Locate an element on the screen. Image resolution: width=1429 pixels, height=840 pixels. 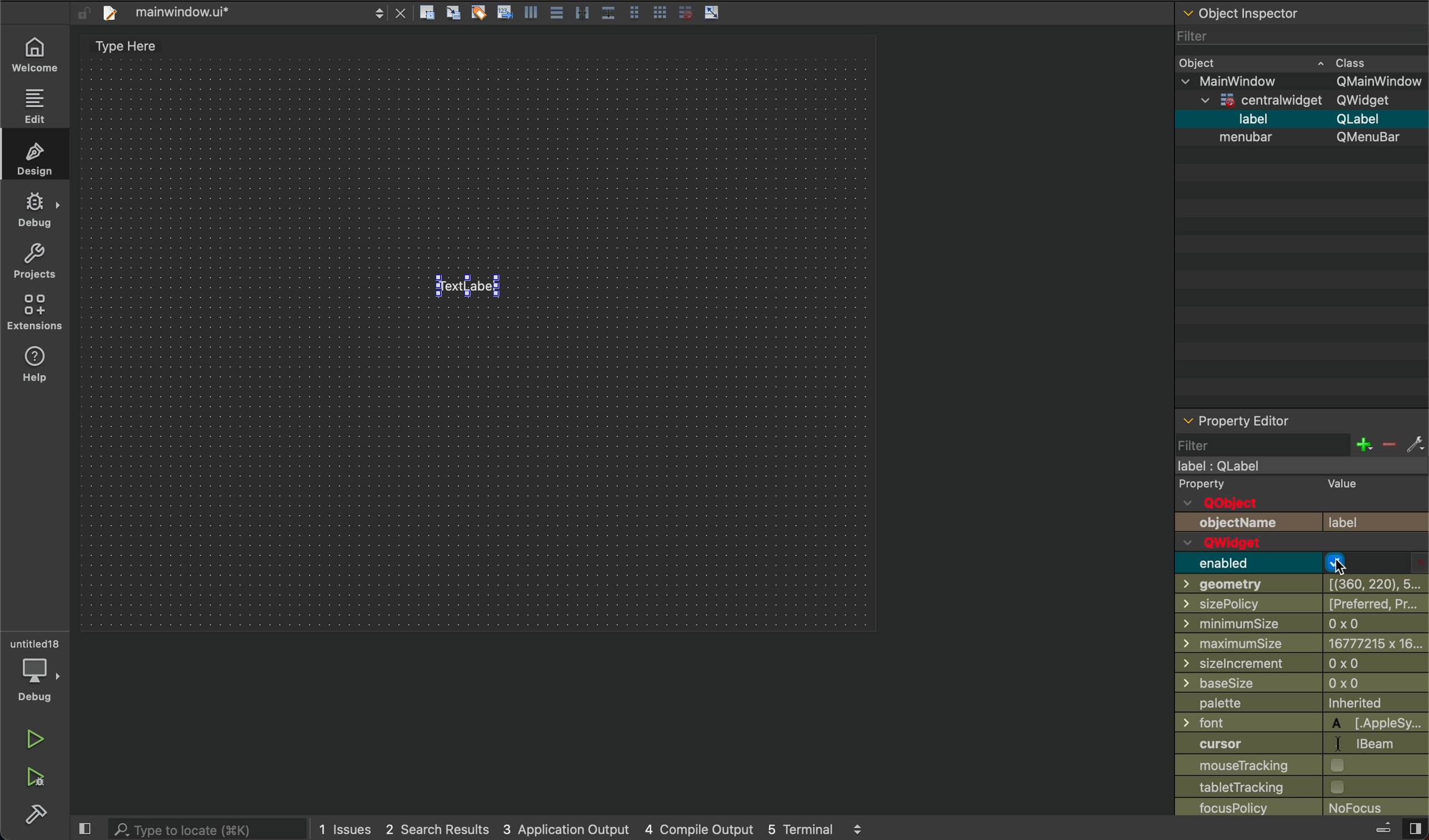
inherited is located at coordinates (1368, 705).